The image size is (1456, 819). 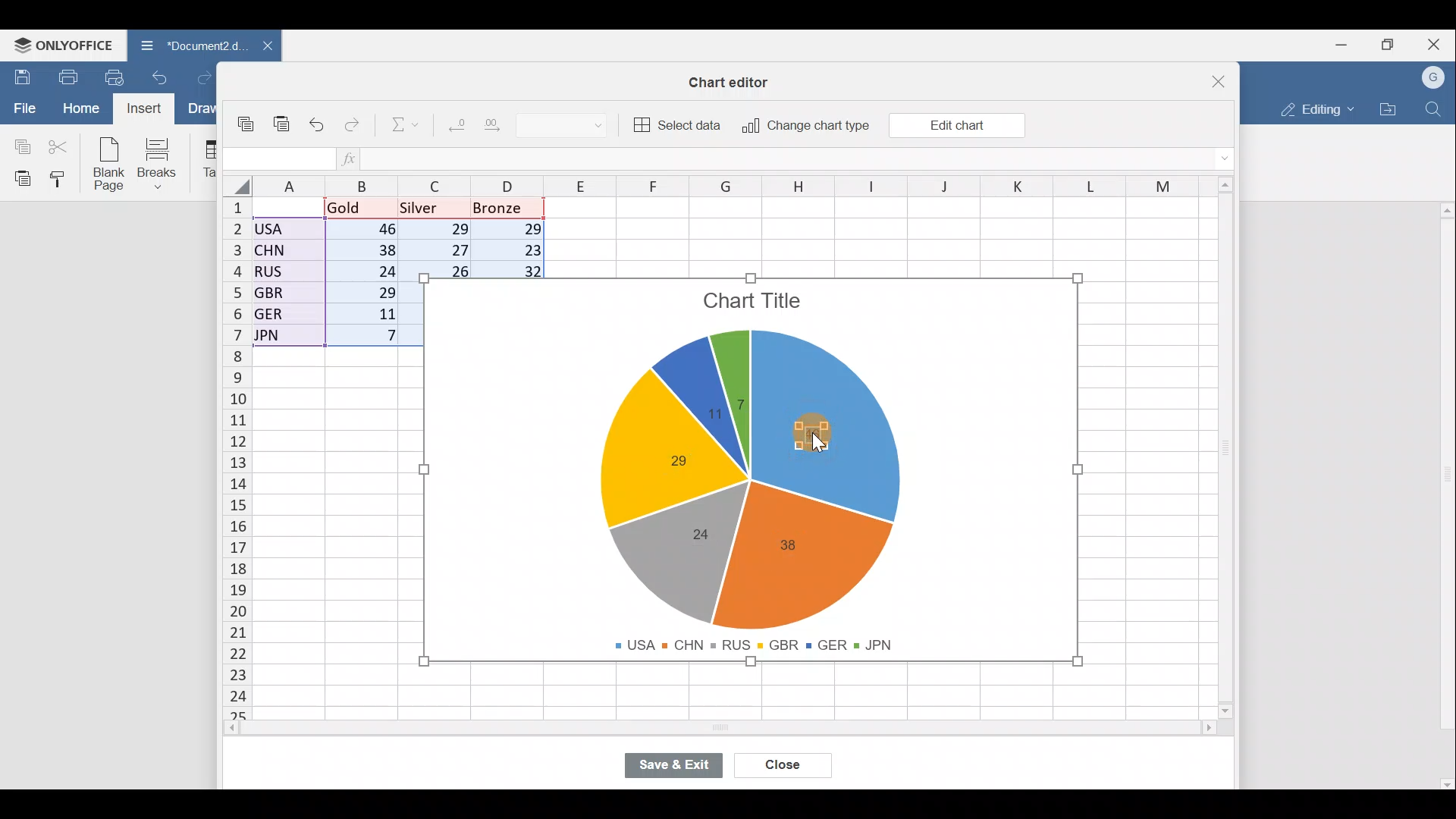 What do you see at coordinates (456, 121) in the screenshot?
I see `Decrease decimal` at bounding box center [456, 121].